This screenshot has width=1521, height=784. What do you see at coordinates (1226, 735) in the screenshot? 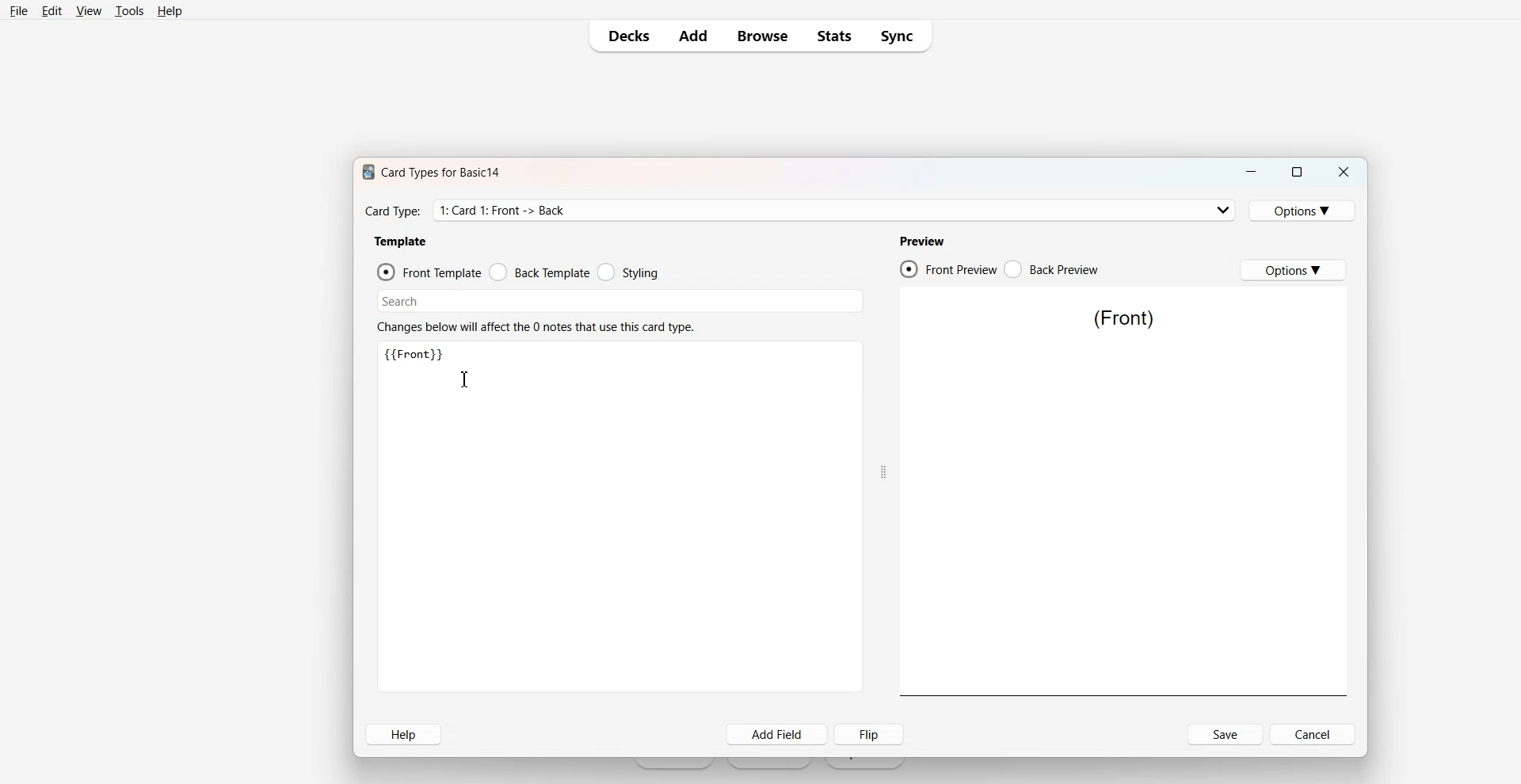
I see `Save` at bounding box center [1226, 735].